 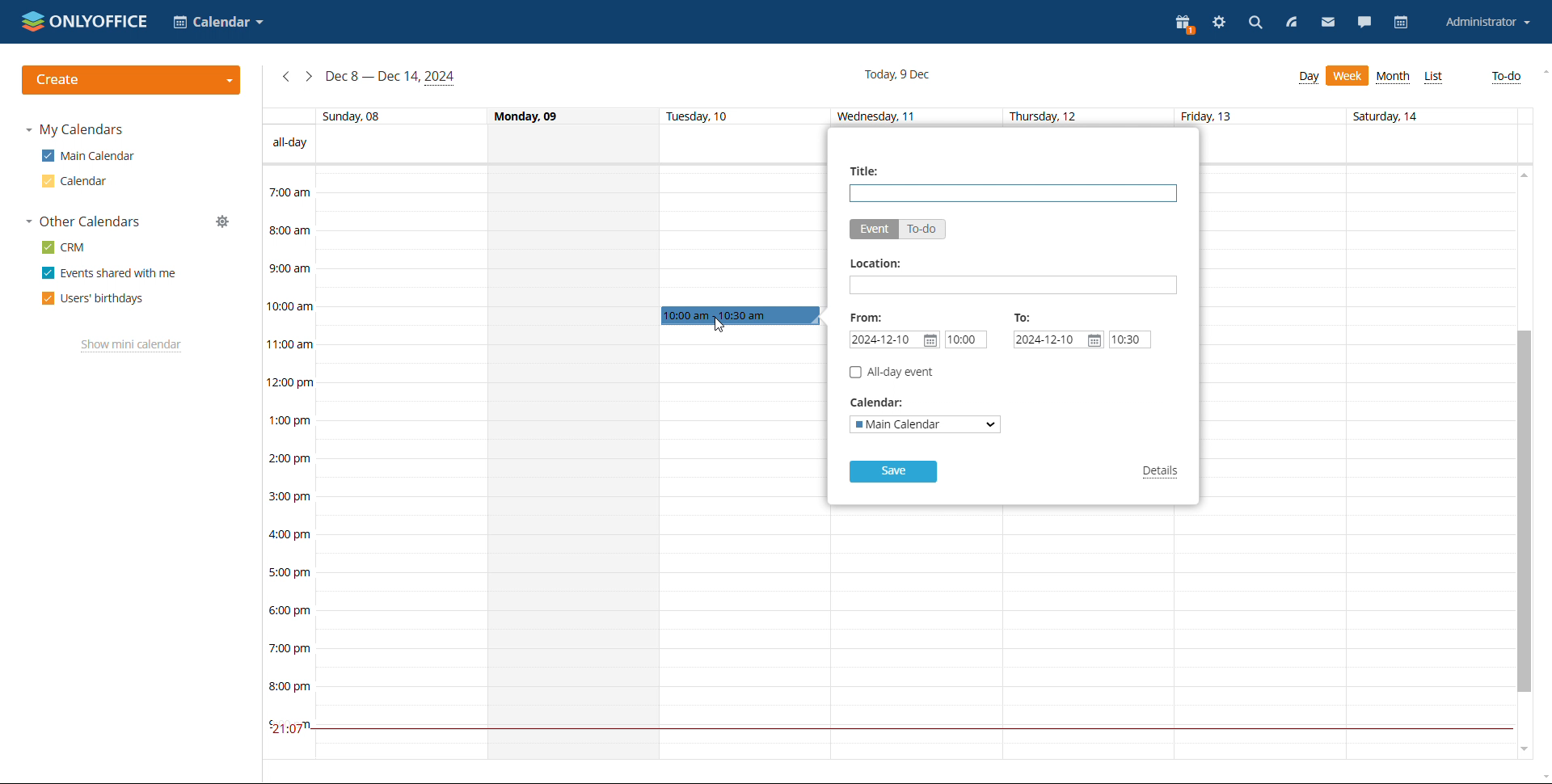 I want to click on details, so click(x=1162, y=473).